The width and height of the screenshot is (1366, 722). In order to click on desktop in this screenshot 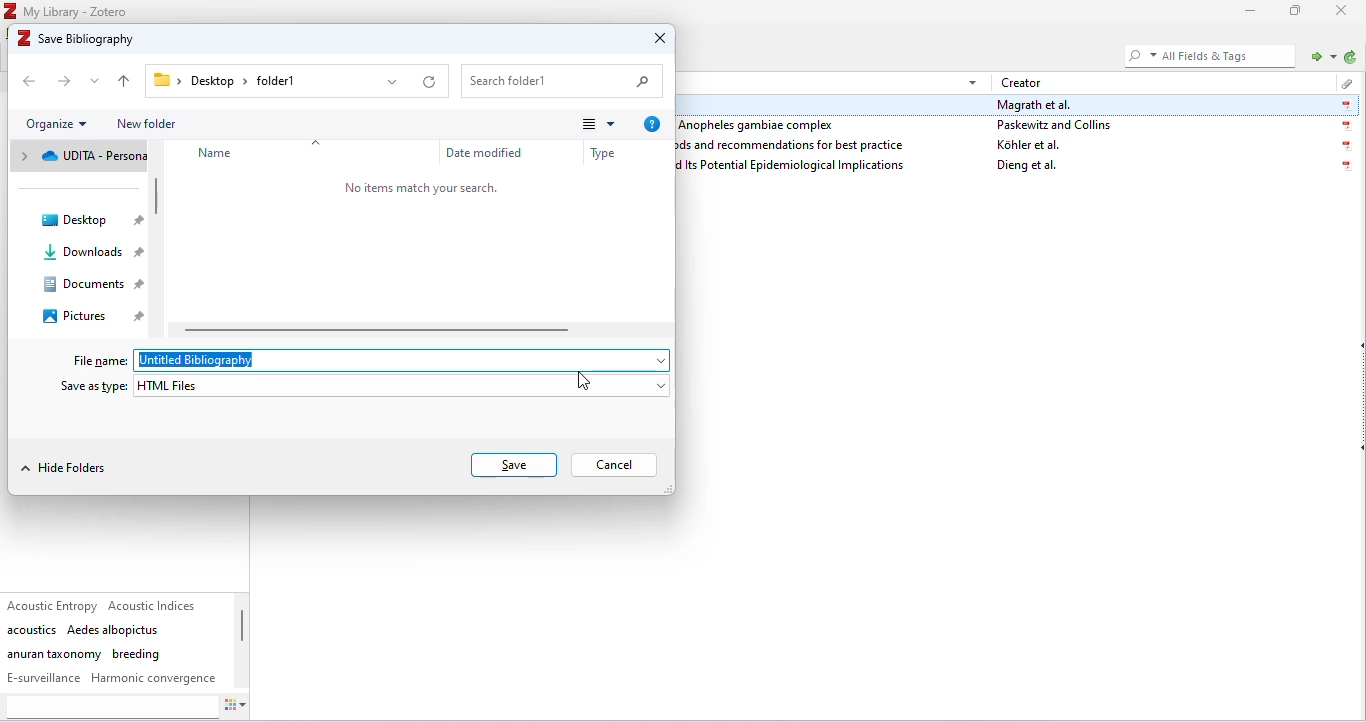, I will do `click(91, 220)`.